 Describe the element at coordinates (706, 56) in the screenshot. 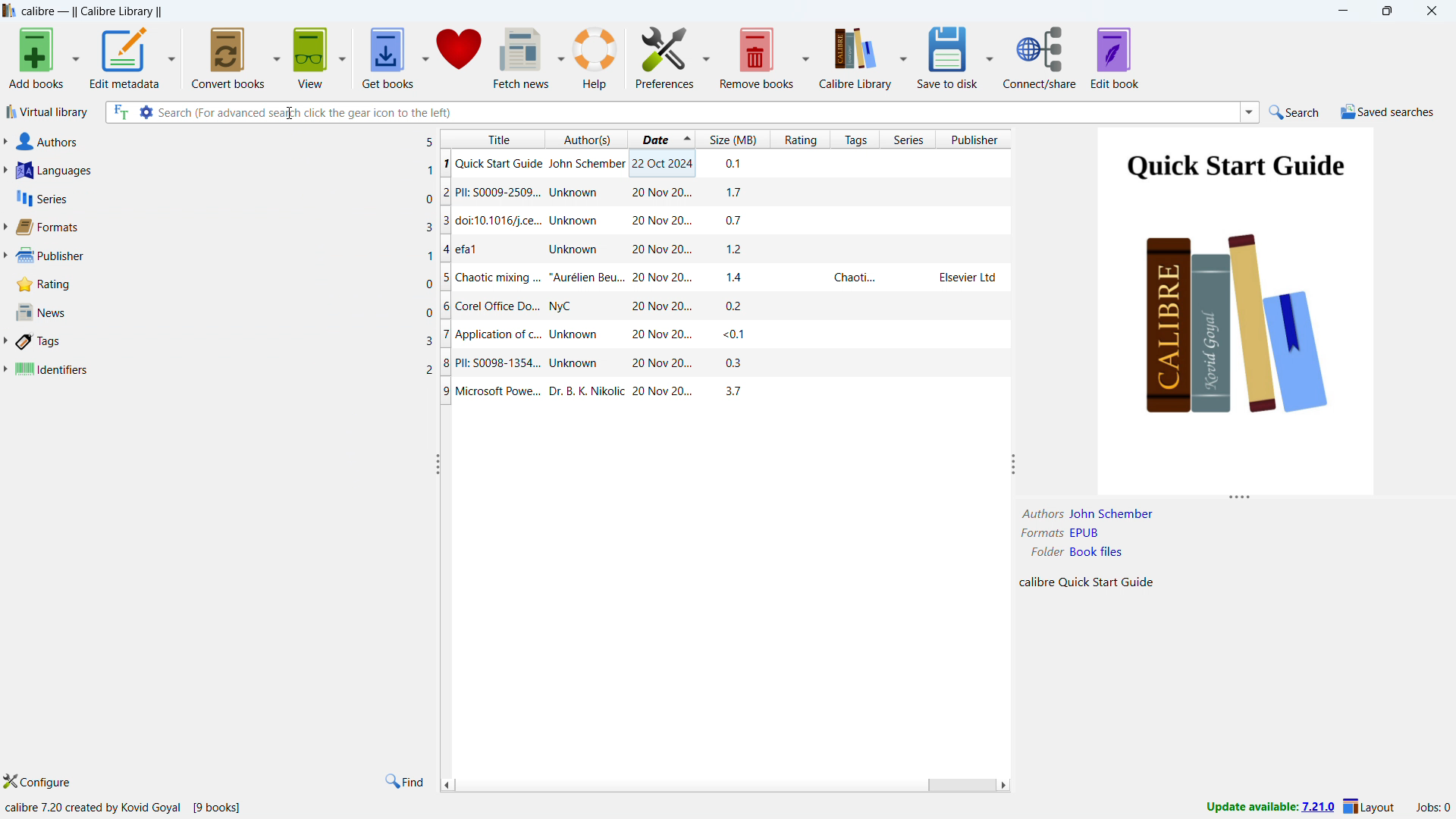

I see `preference options` at that location.